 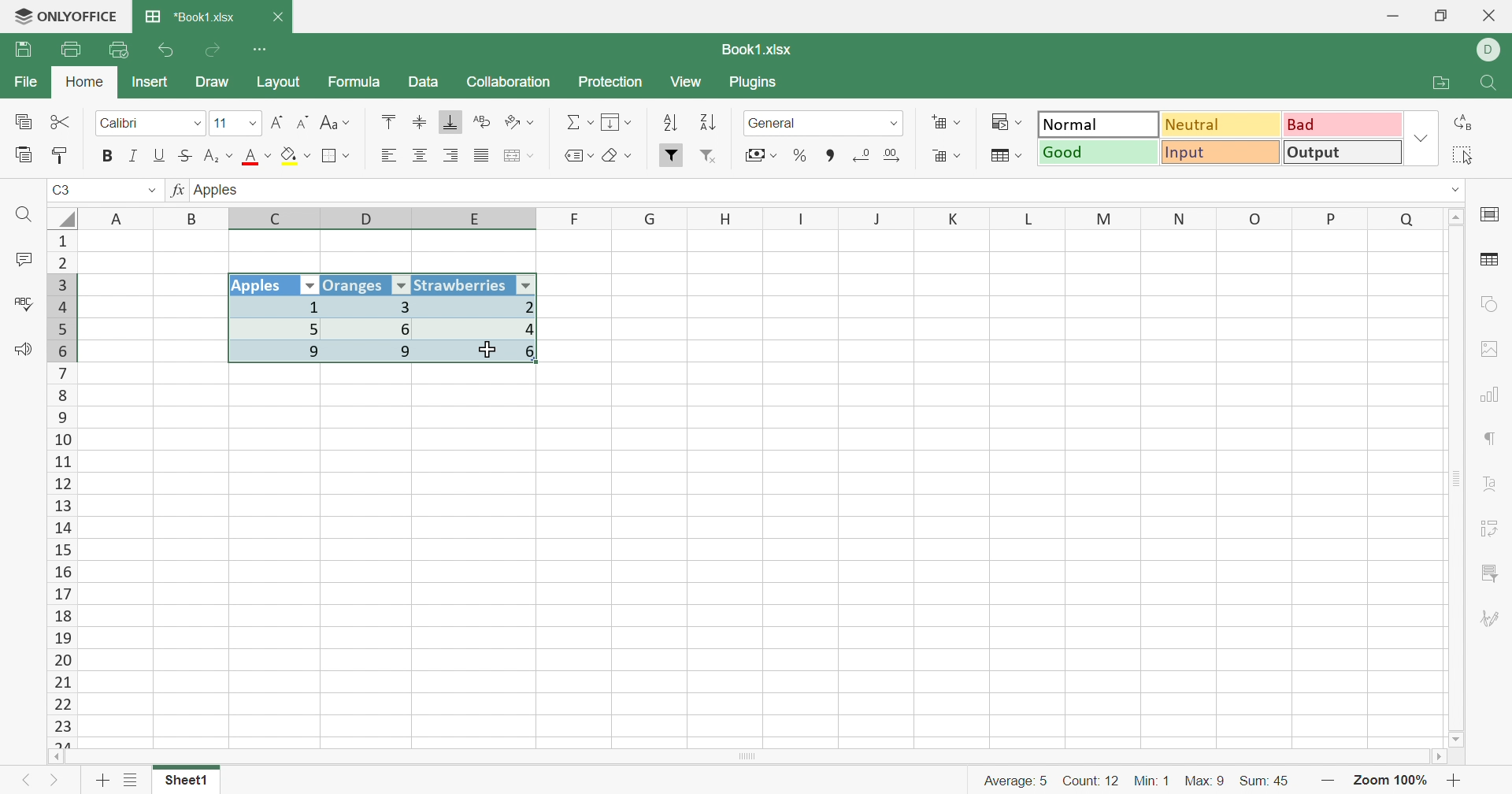 I want to click on Underline, so click(x=160, y=155).